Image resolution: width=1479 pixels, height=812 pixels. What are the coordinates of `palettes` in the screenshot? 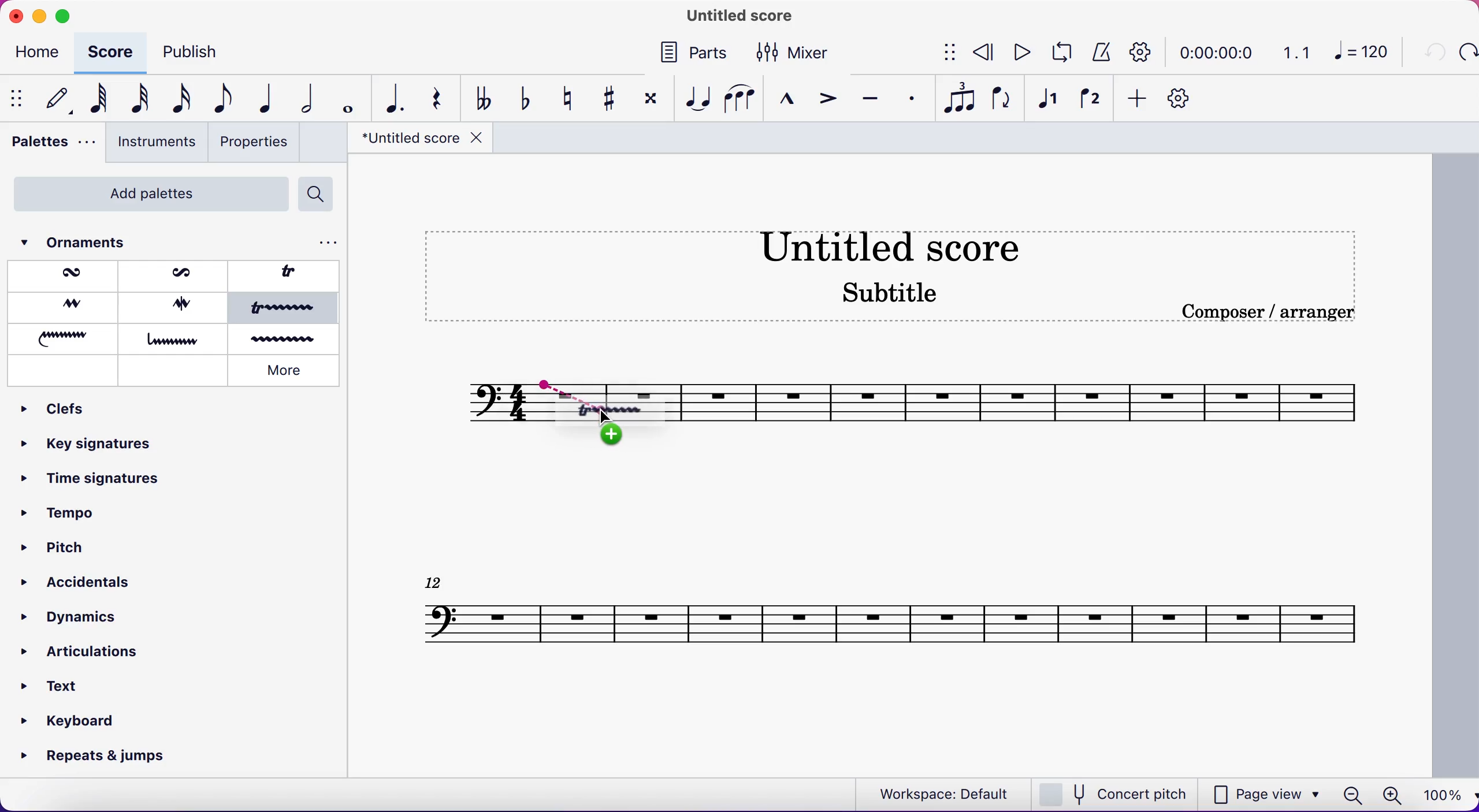 It's located at (49, 145).